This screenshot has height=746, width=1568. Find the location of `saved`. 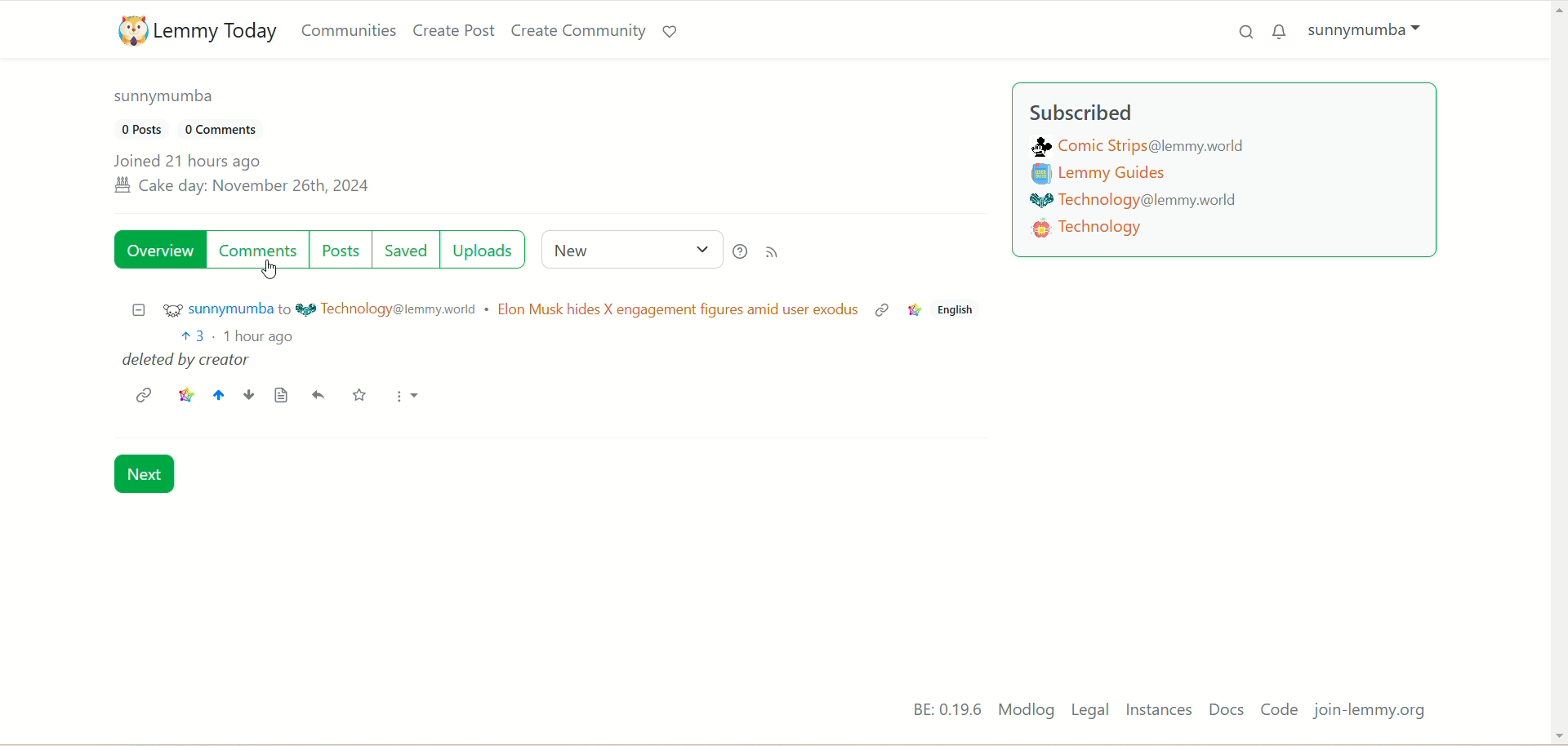

saved is located at coordinates (408, 248).